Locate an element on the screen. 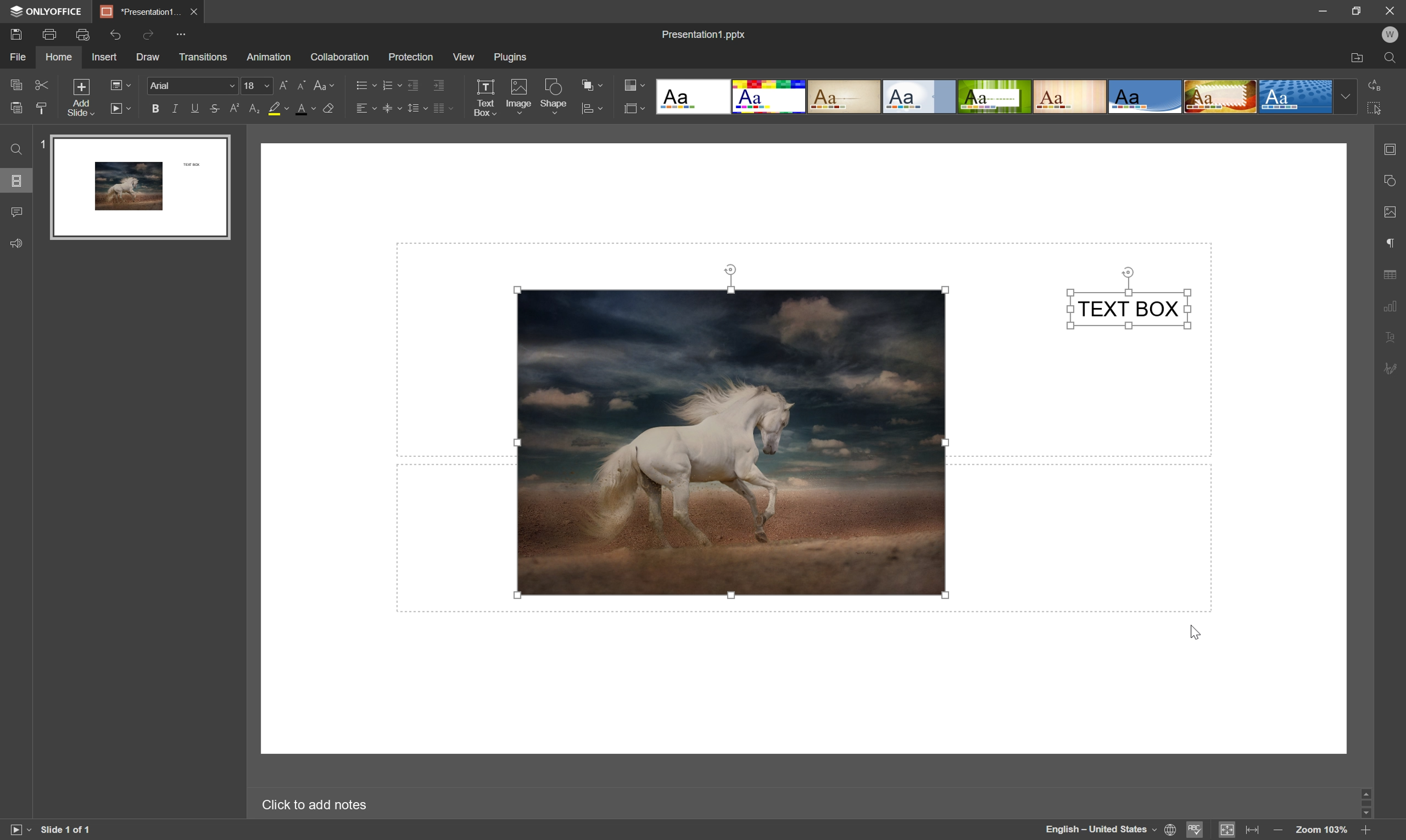 The width and height of the screenshot is (1406, 840). clear style is located at coordinates (44, 109).